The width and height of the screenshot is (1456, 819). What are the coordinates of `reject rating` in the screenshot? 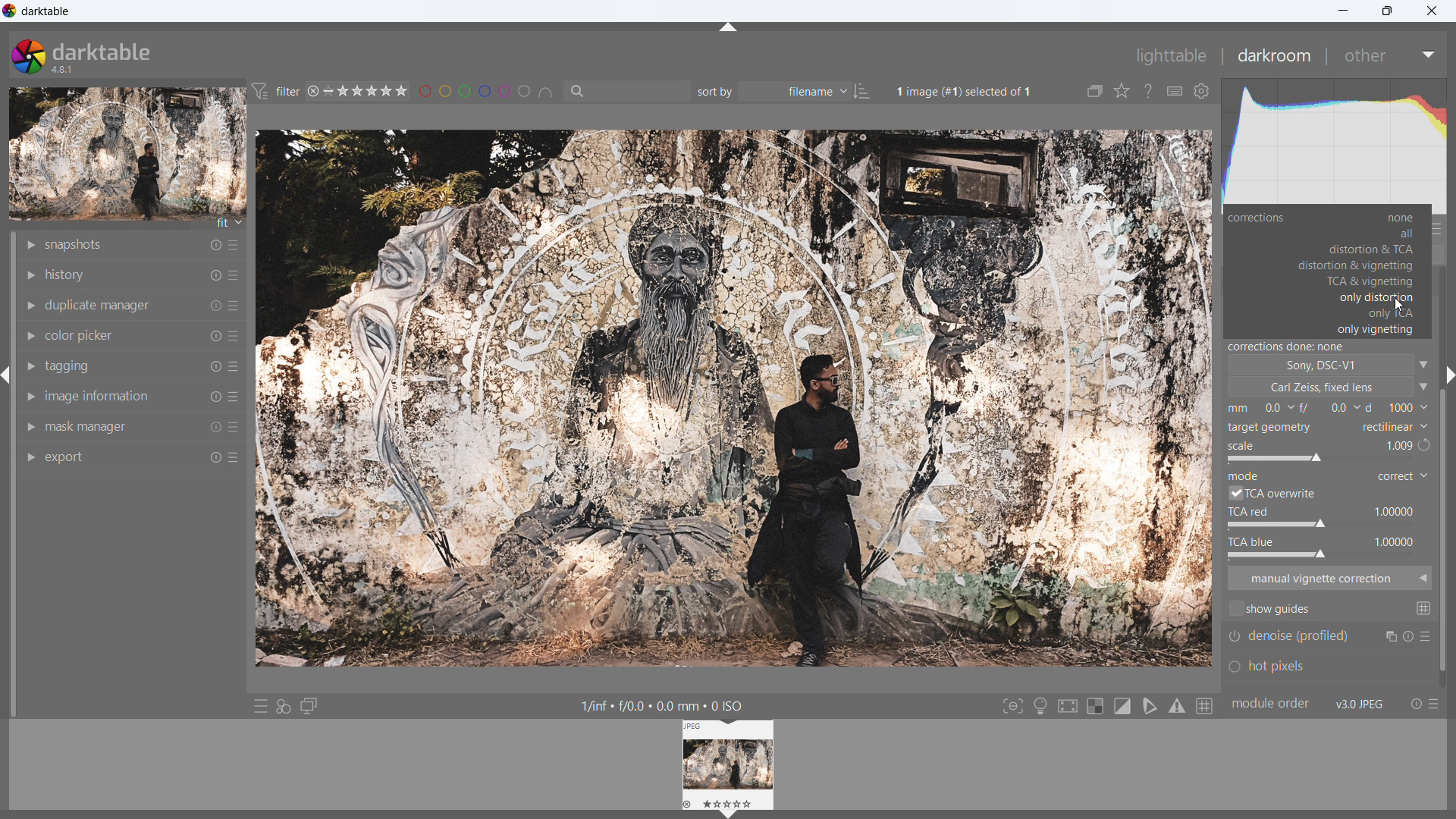 It's located at (314, 93).